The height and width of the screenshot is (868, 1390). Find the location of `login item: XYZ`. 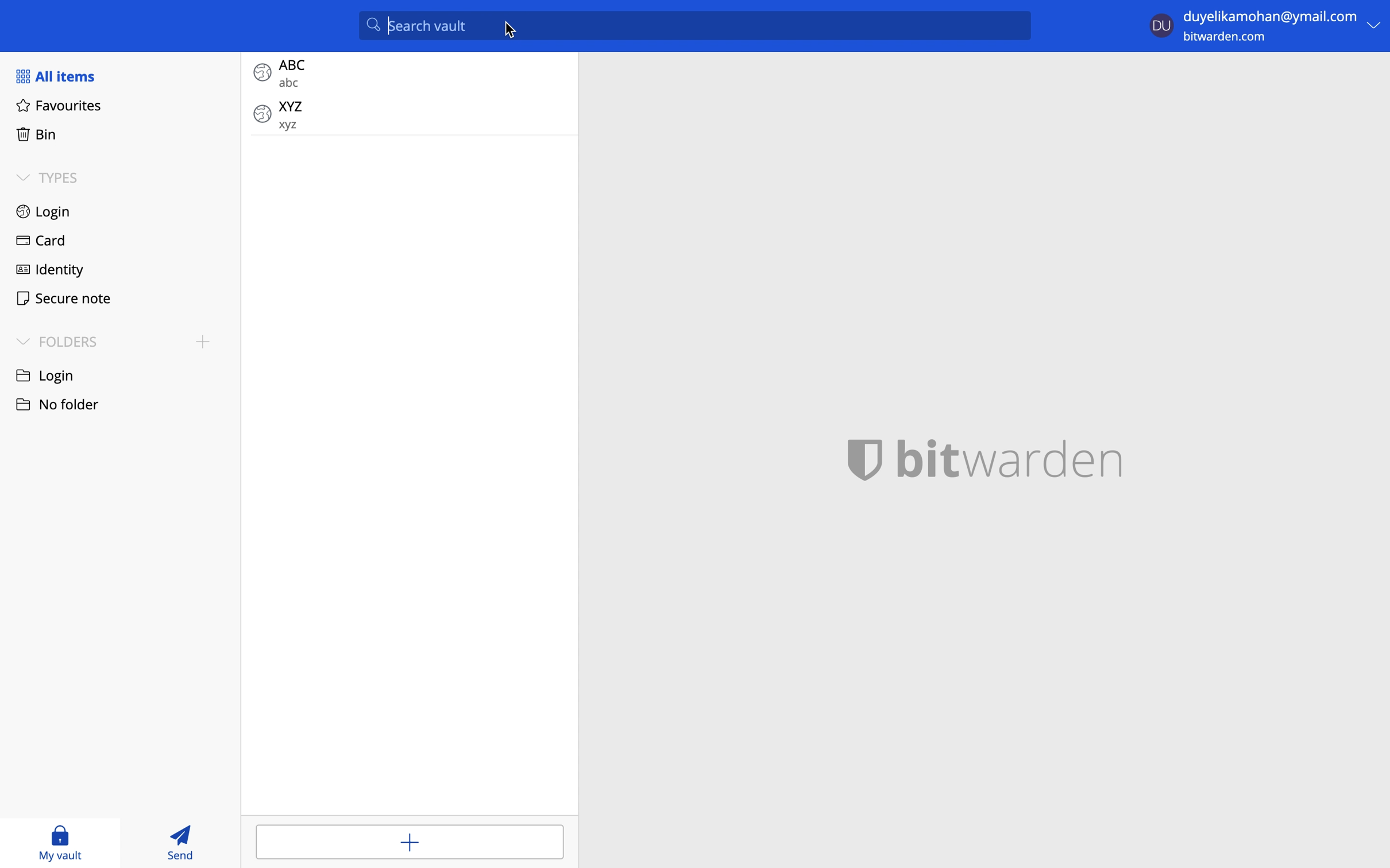

login item: XYZ is located at coordinates (406, 114).